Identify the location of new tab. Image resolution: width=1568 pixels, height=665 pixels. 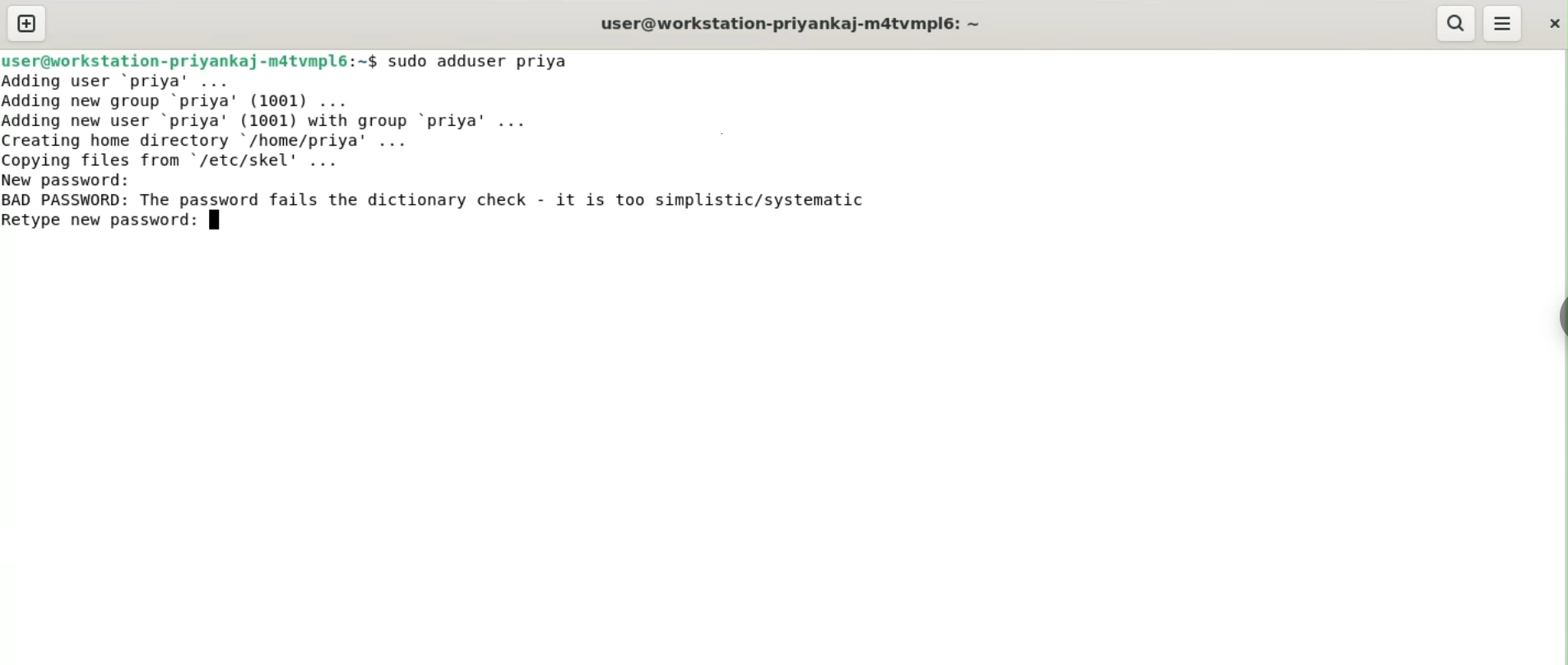
(26, 23).